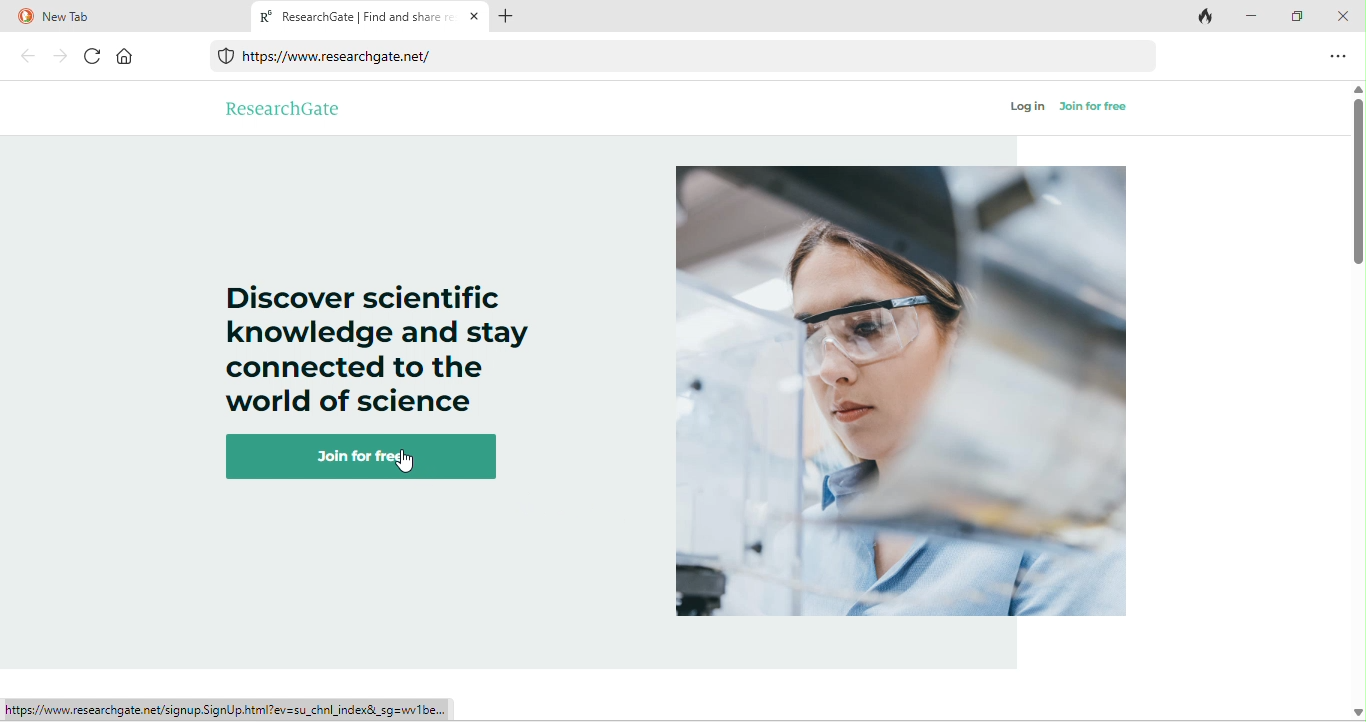 The height and width of the screenshot is (722, 1366). What do you see at coordinates (29, 55) in the screenshot?
I see `back` at bounding box center [29, 55].